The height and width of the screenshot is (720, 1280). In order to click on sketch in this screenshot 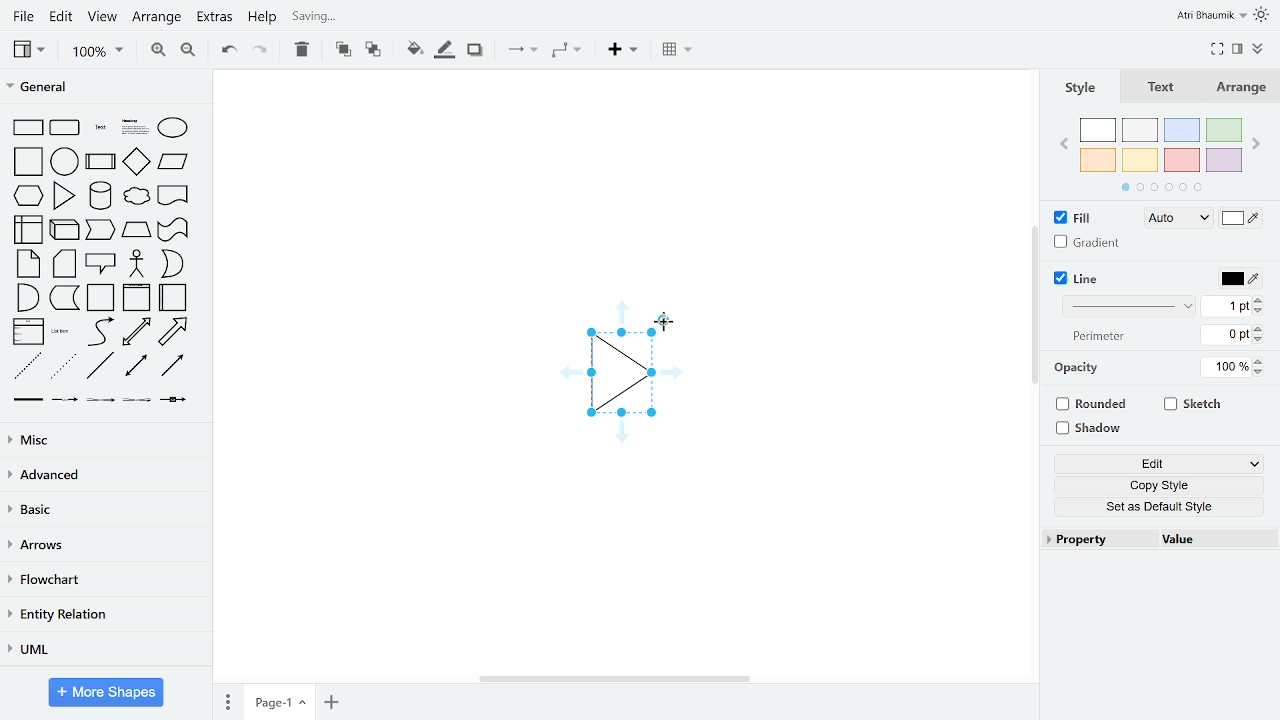, I will do `click(1194, 406)`.